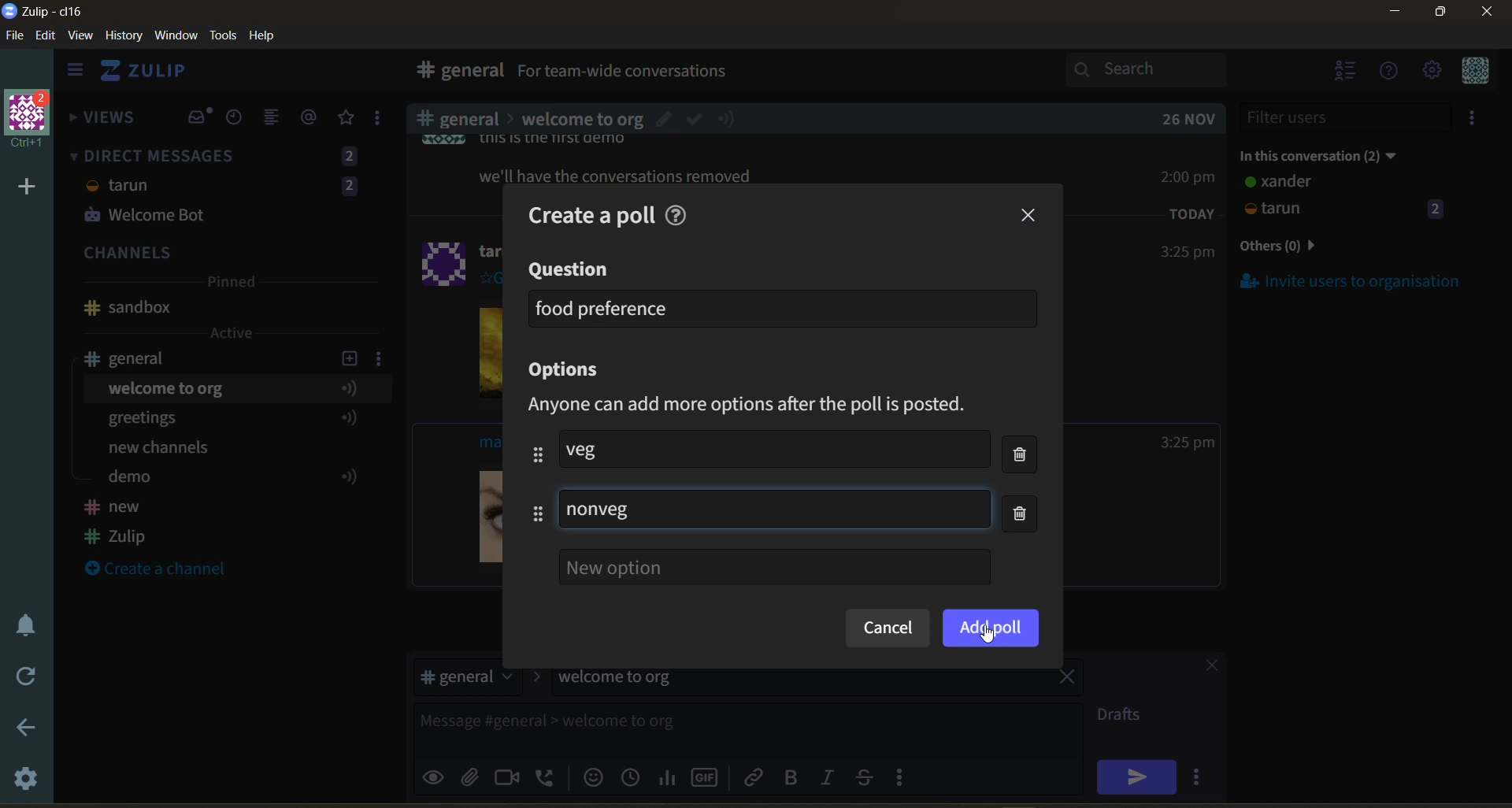 This screenshot has height=808, width=1512. Describe the element at coordinates (831, 779) in the screenshot. I see `italic` at that location.